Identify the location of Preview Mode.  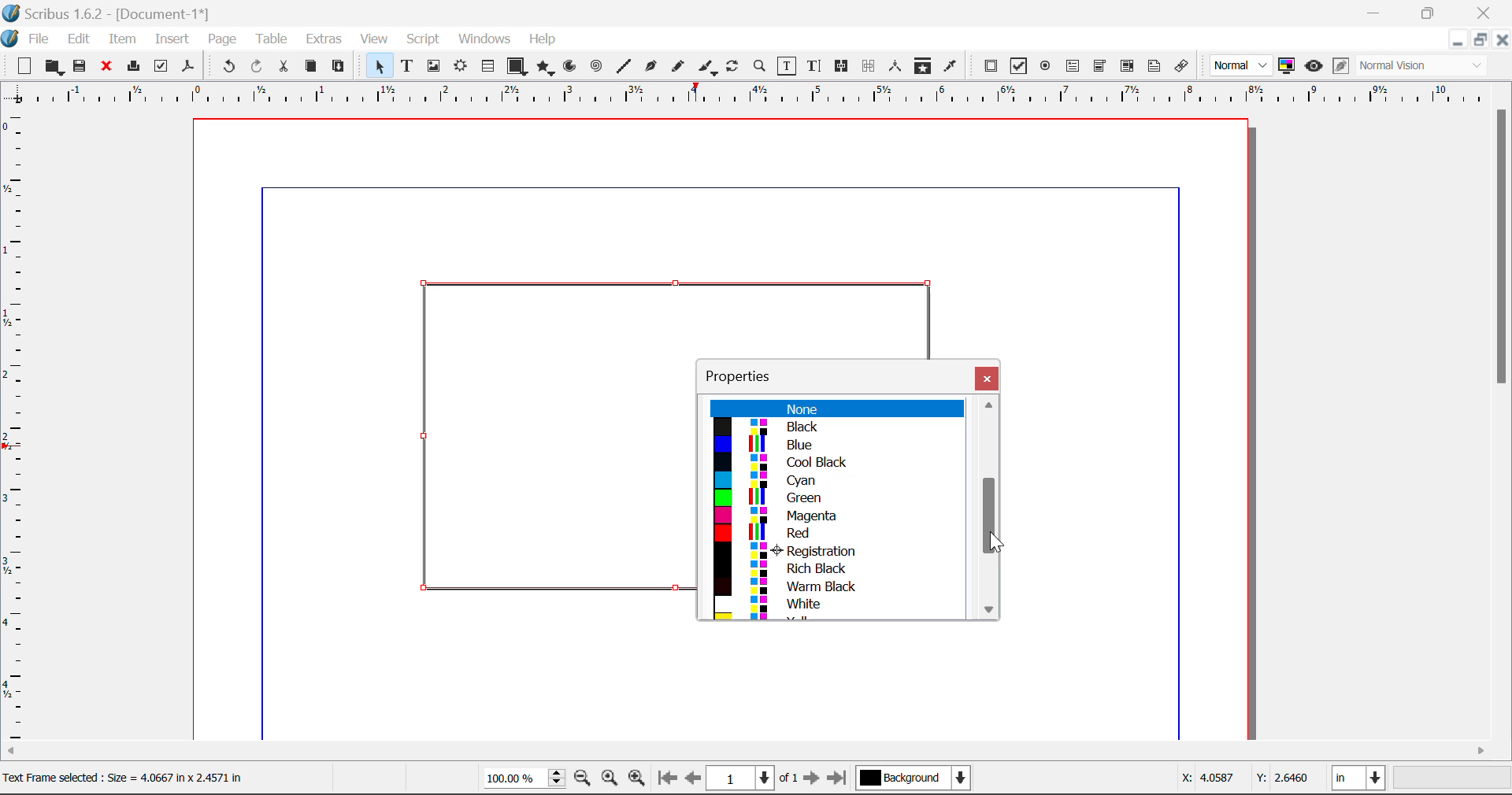
(1314, 66).